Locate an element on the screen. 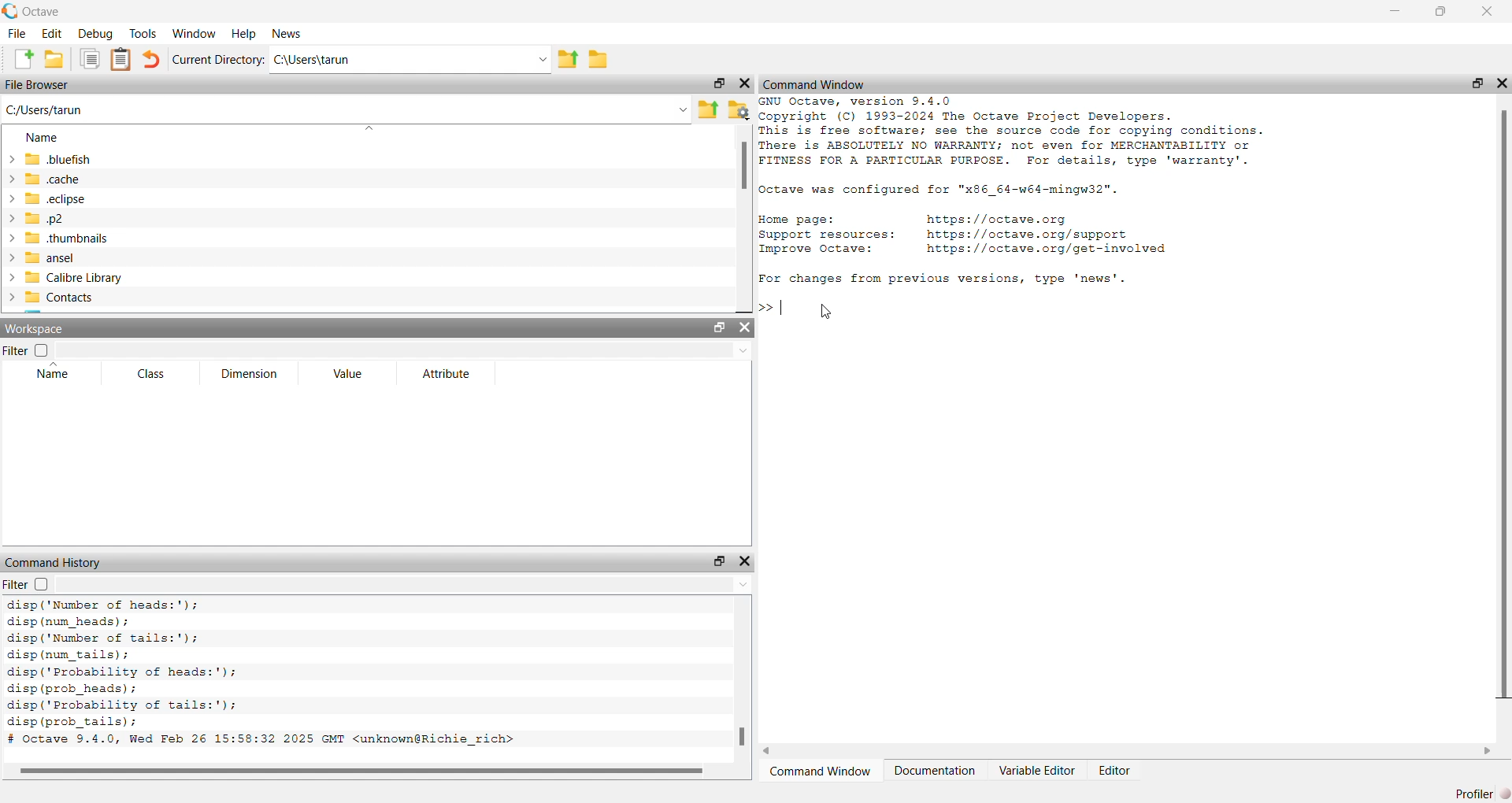  vertical scroll bar is located at coordinates (743, 219).